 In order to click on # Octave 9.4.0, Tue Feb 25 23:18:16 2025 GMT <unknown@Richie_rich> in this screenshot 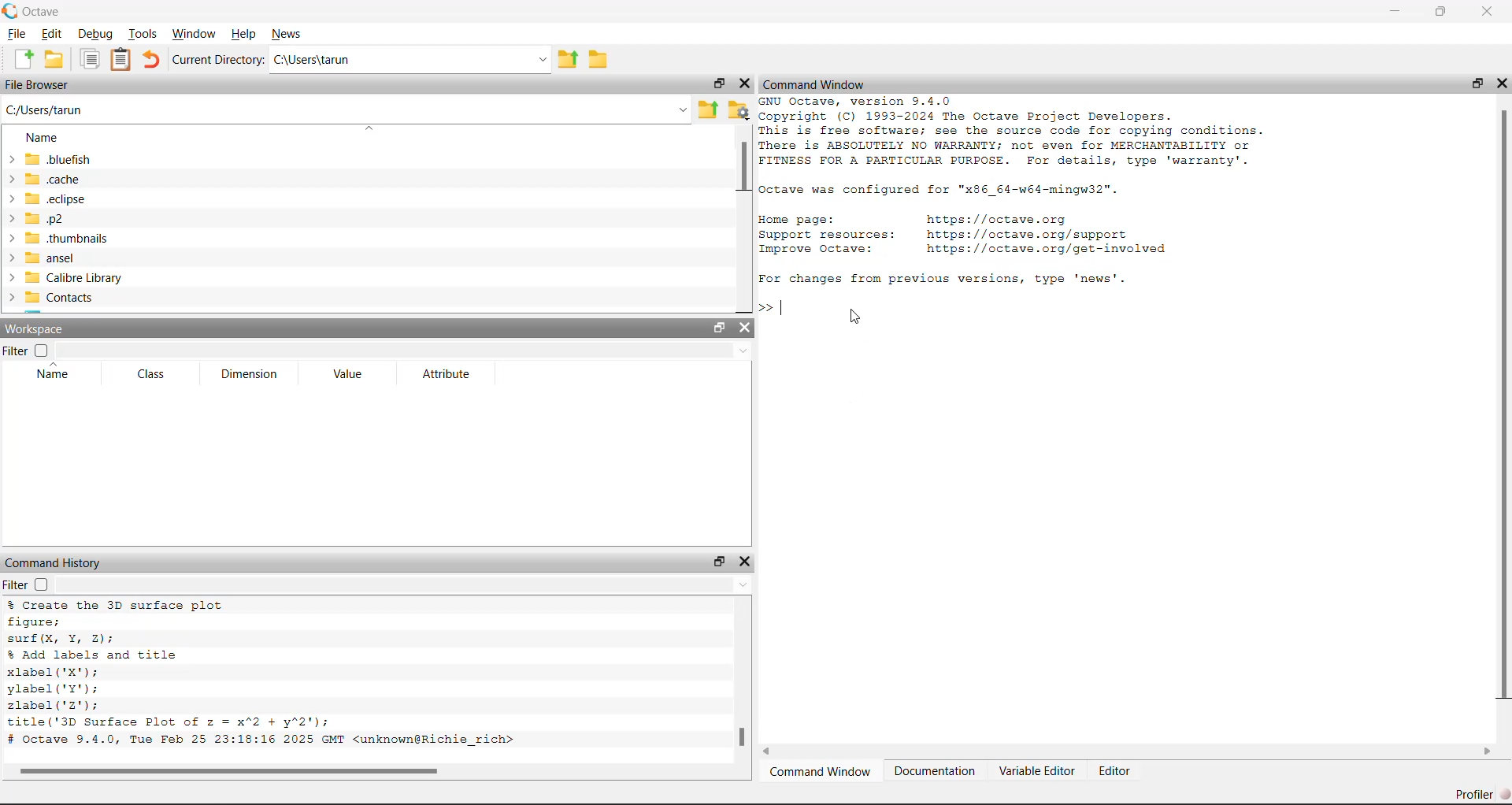, I will do `click(267, 741)`.